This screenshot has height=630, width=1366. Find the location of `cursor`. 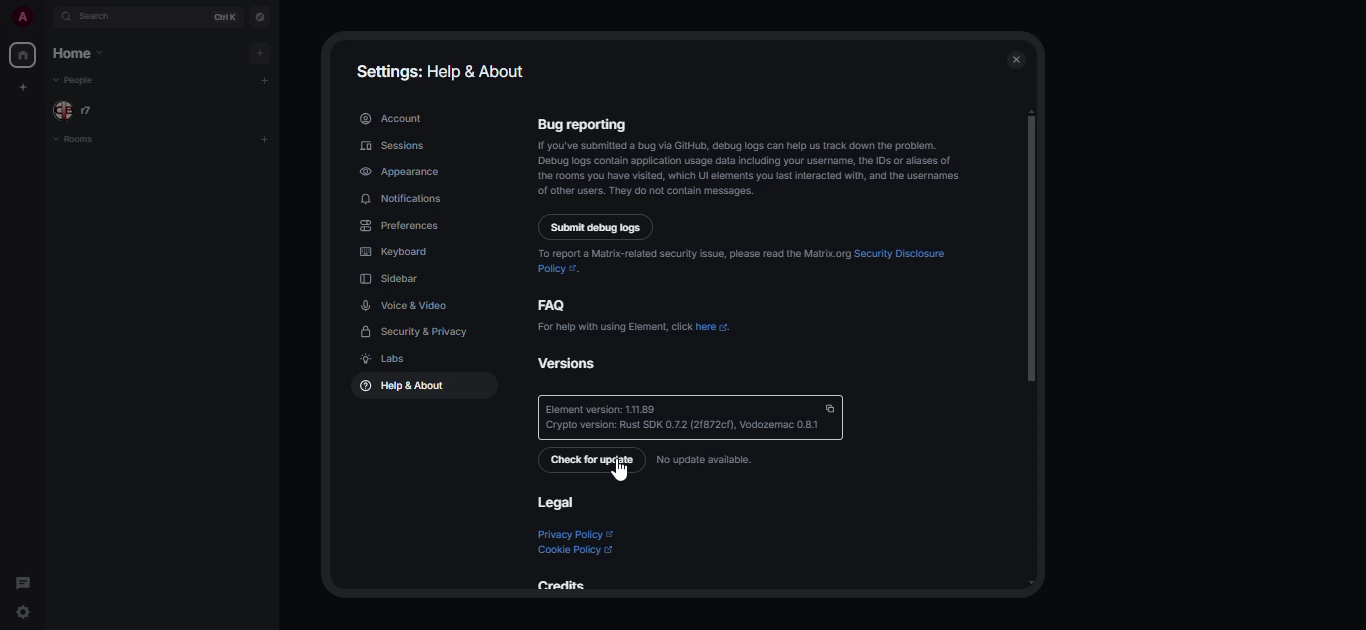

cursor is located at coordinates (620, 475).